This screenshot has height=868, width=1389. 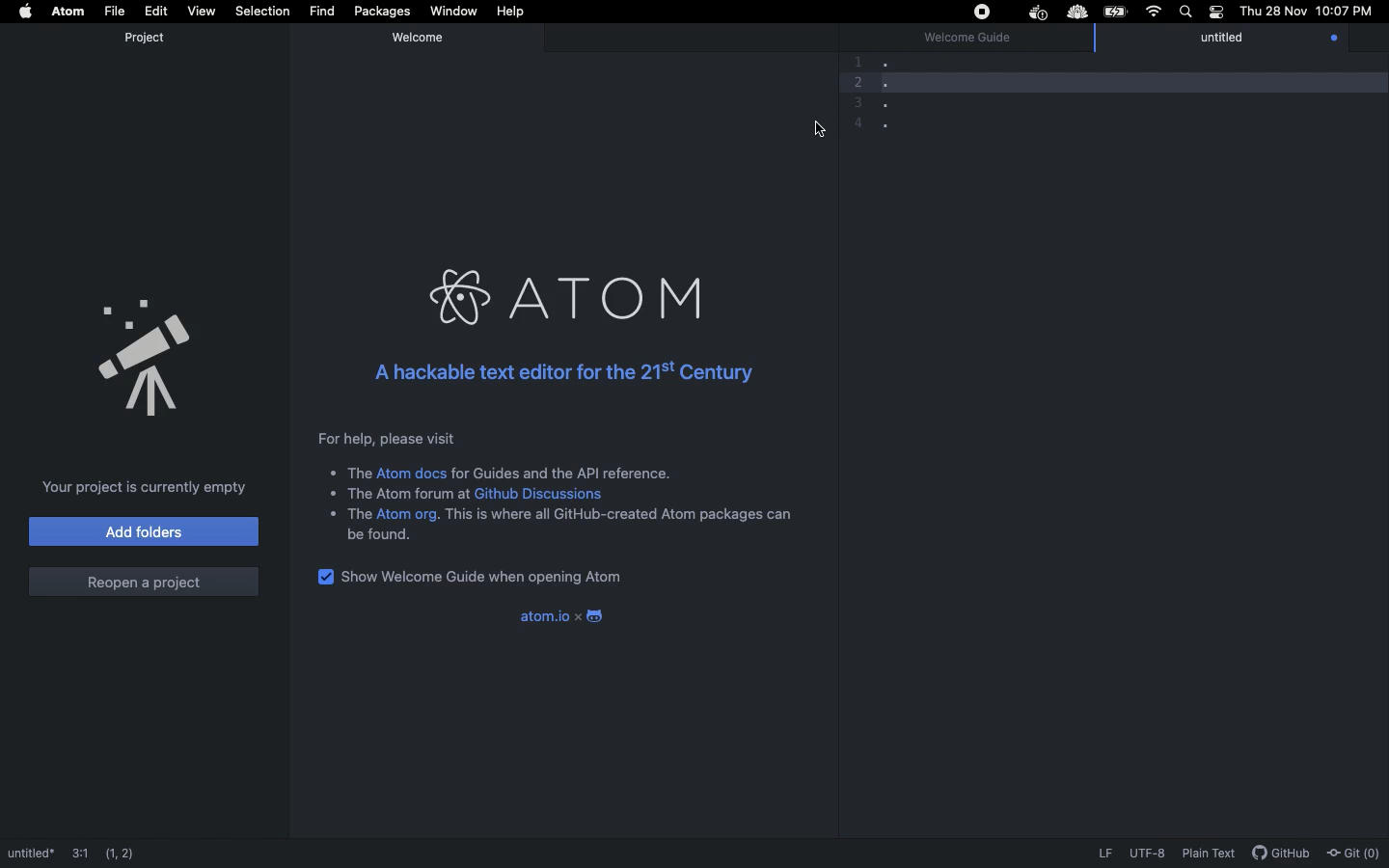 I want to click on Text, so click(x=346, y=514).